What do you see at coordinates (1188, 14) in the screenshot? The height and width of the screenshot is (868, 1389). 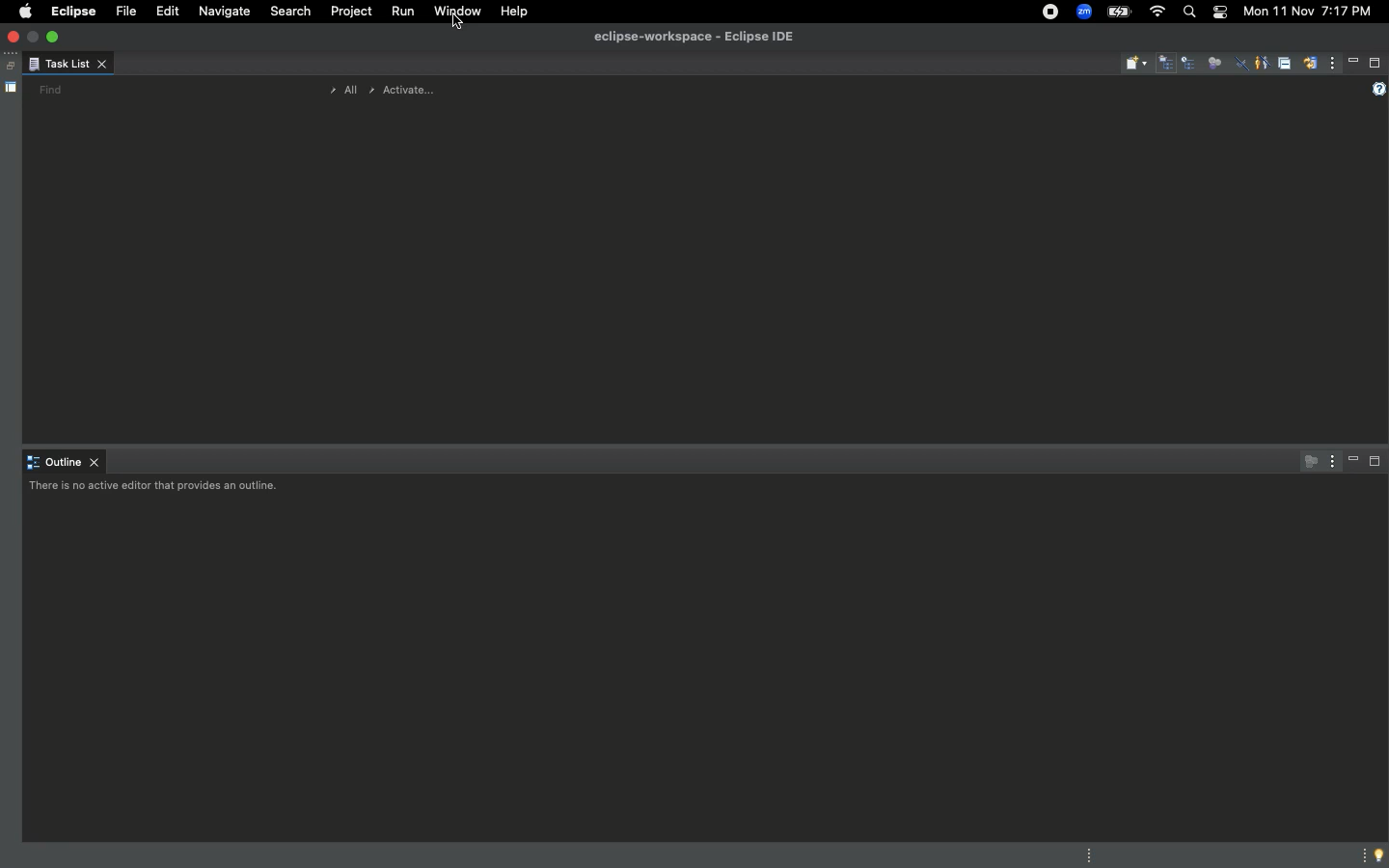 I see `Search` at bounding box center [1188, 14].